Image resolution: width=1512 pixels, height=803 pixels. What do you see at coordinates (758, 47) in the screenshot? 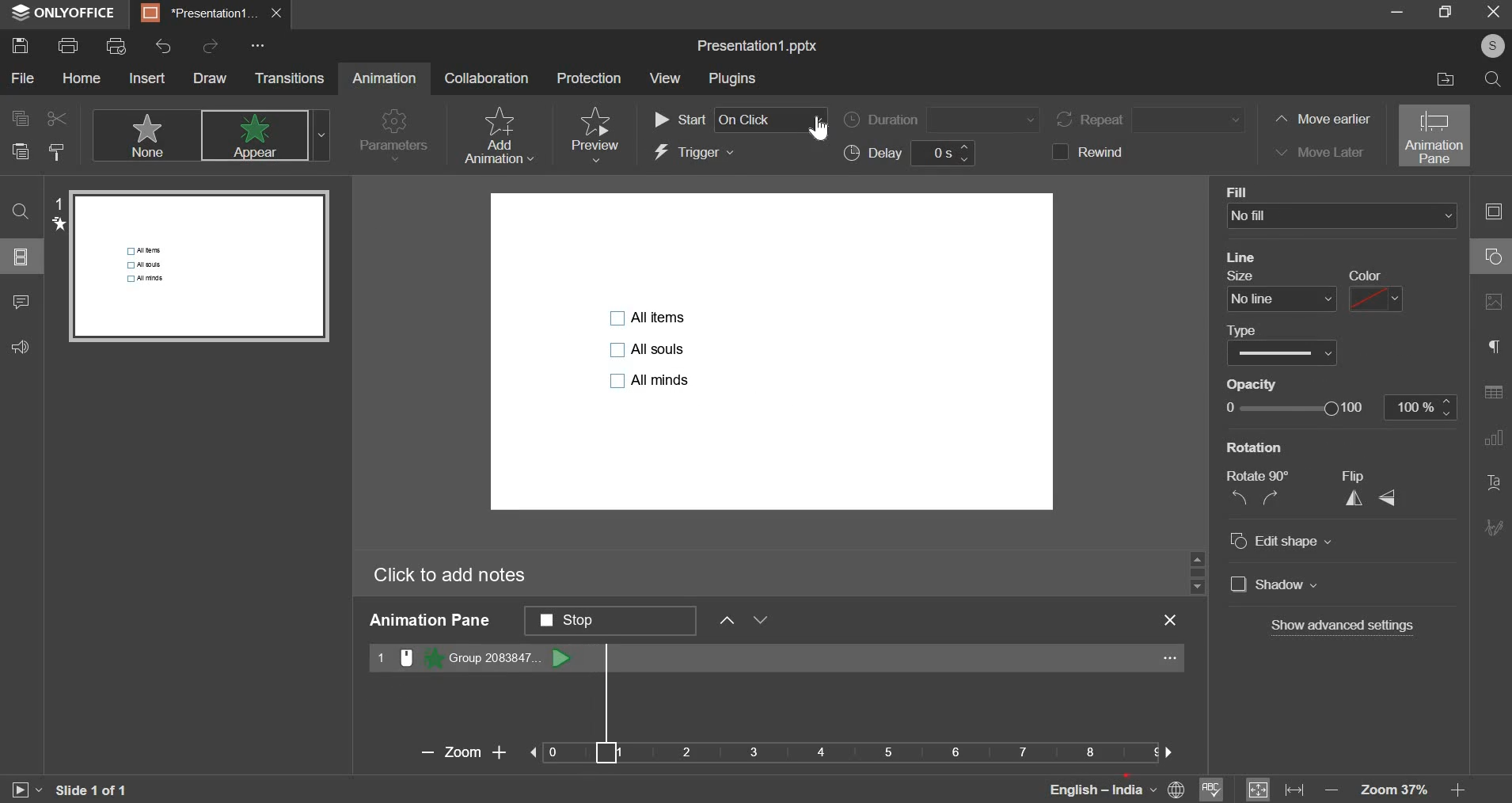
I see `file name` at bounding box center [758, 47].